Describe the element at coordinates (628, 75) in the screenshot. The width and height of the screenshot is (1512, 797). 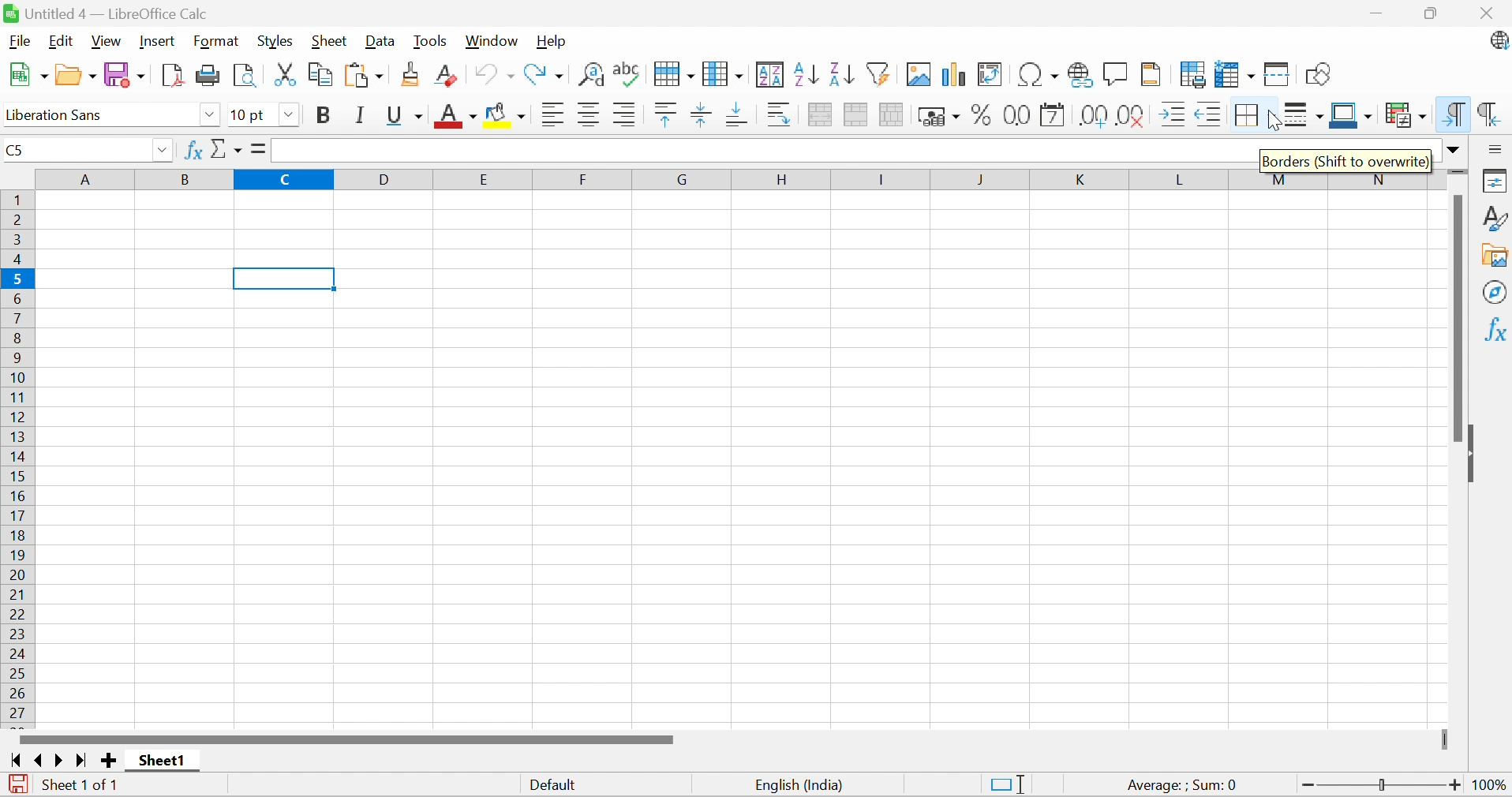
I see `Spelling` at that location.